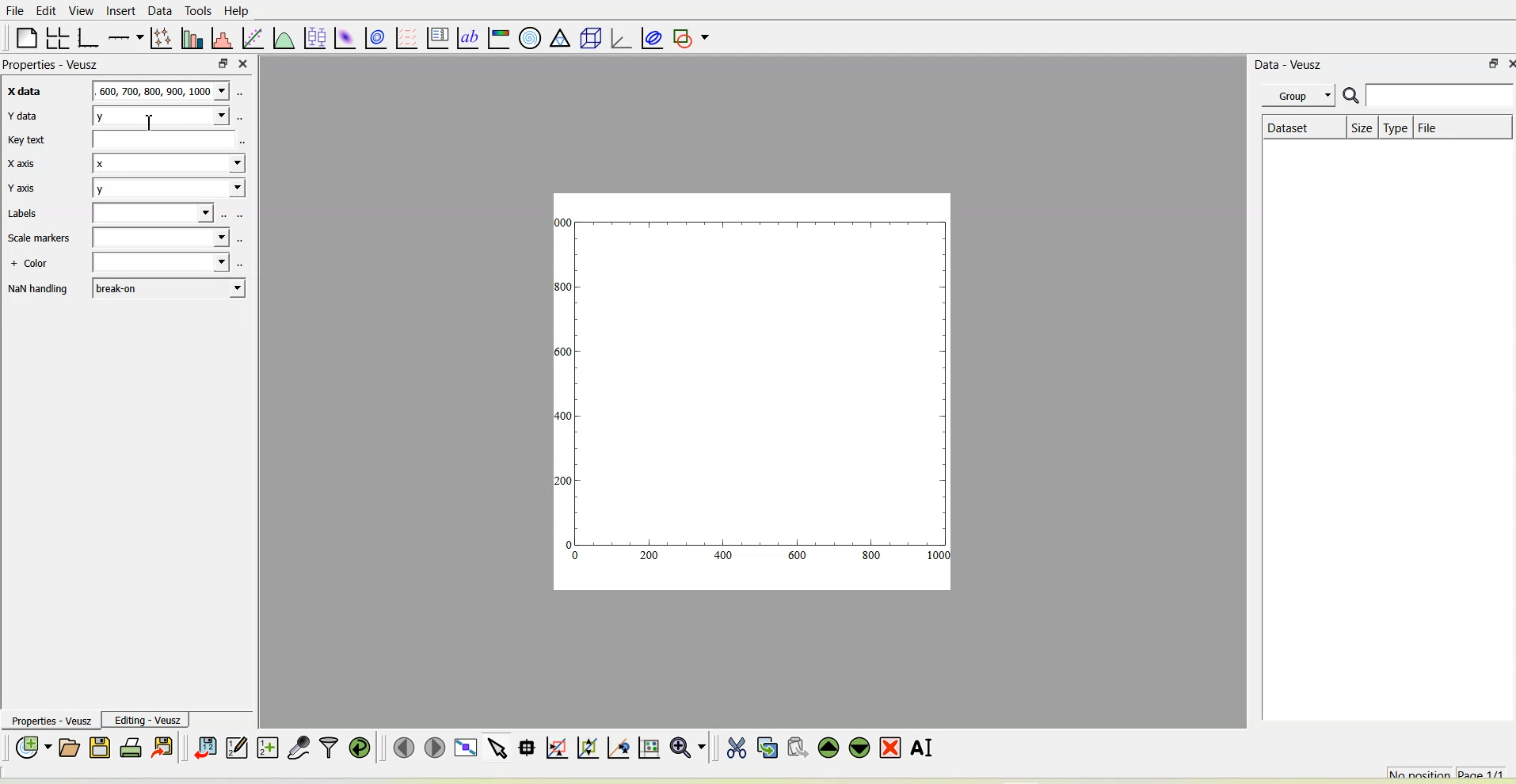 The height and width of the screenshot is (784, 1516). Describe the element at coordinates (531, 37) in the screenshot. I see `Polar graph` at that location.